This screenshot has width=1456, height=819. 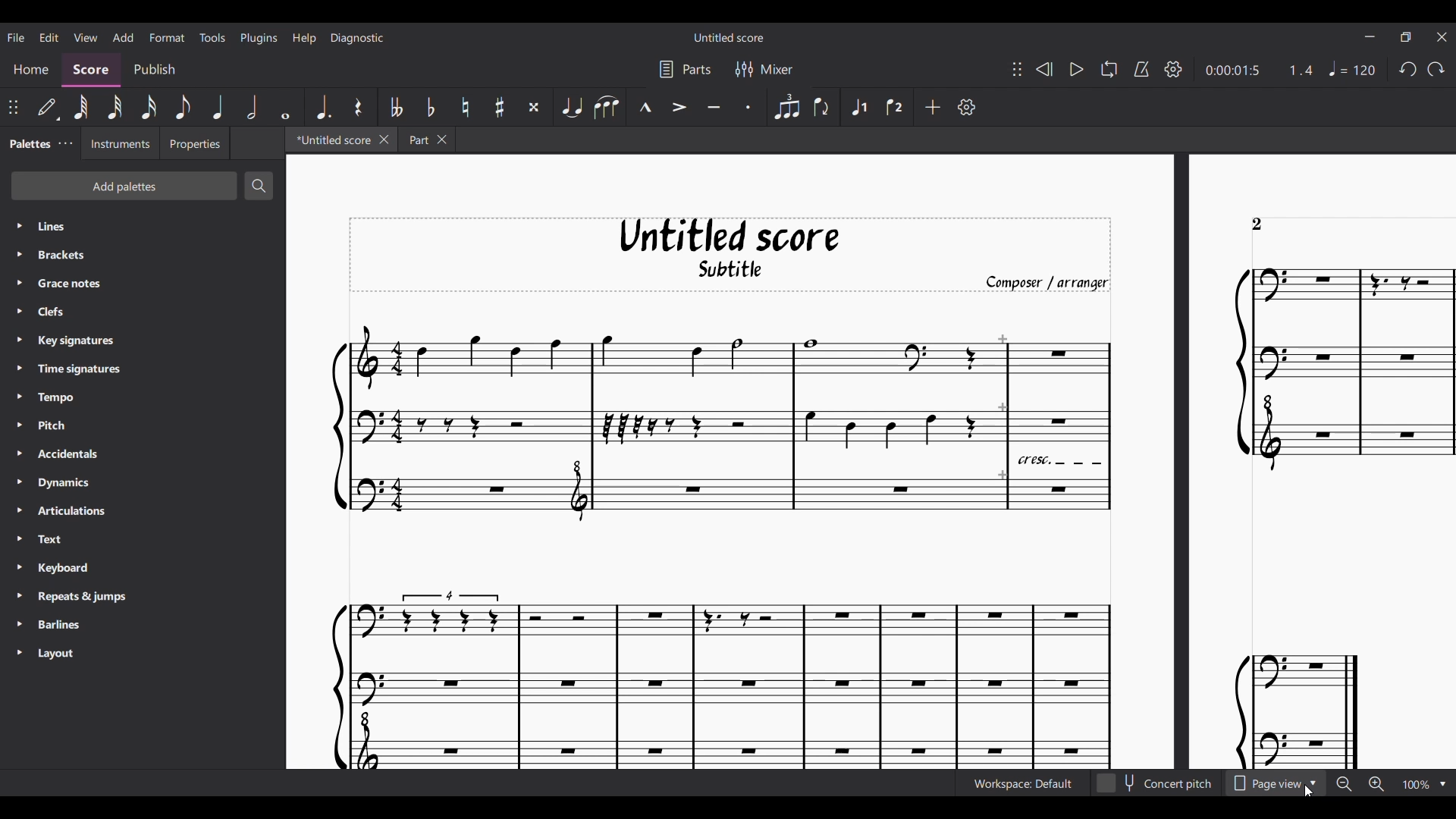 What do you see at coordinates (259, 186) in the screenshot?
I see `Search palette` at bounding box center [259, 186].